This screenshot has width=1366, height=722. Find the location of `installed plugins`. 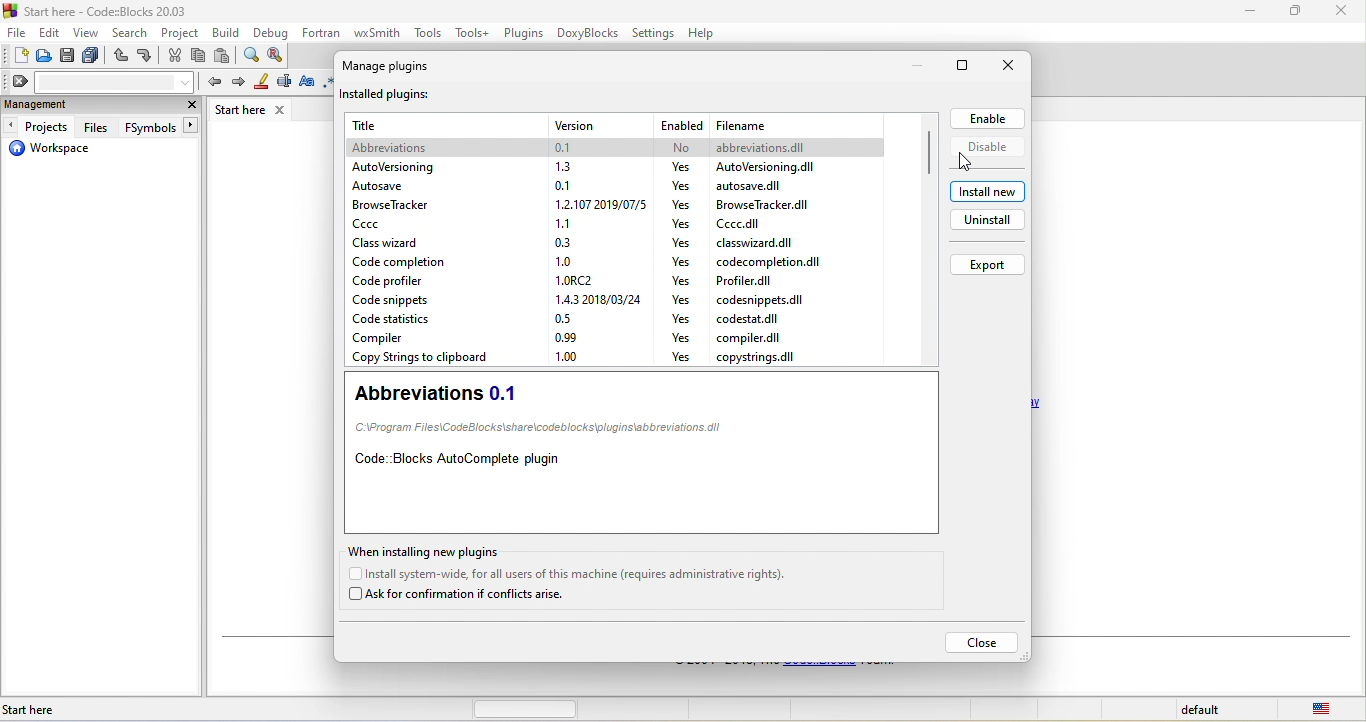

installed plugins is located at coordinates (415, 97).